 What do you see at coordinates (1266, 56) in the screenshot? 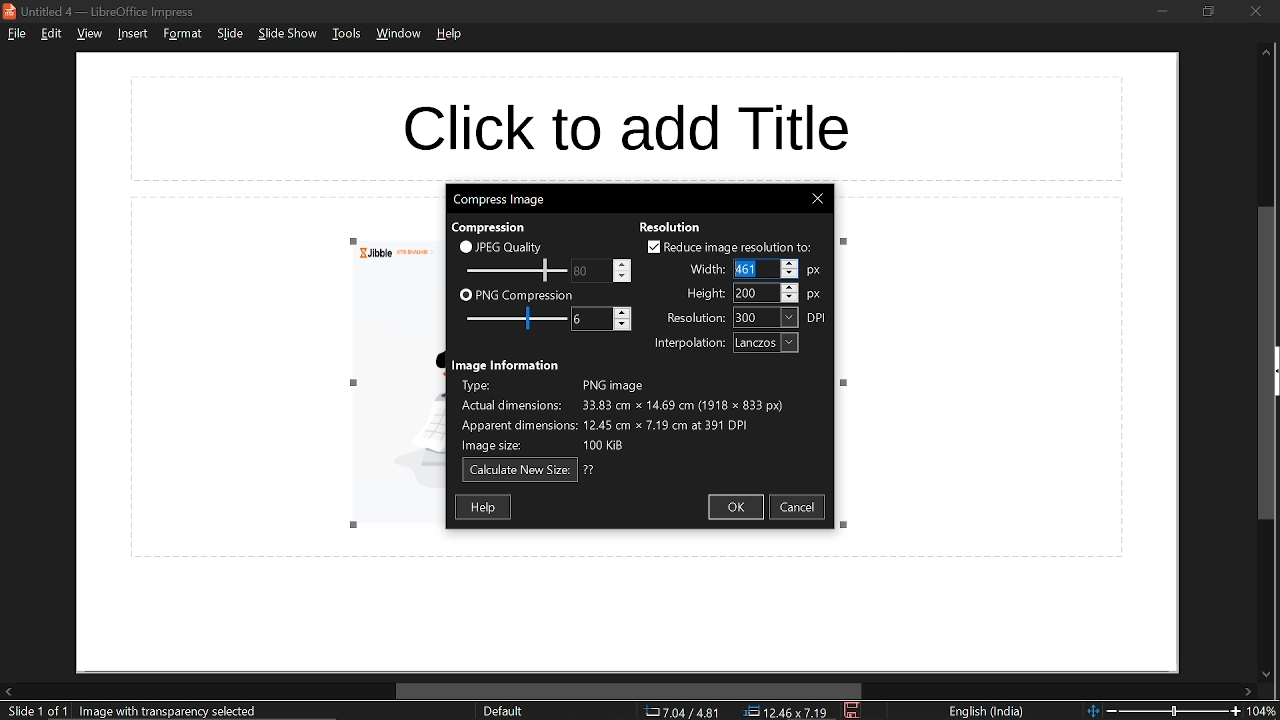
I see `move up` at bounding box center [1266, 56].